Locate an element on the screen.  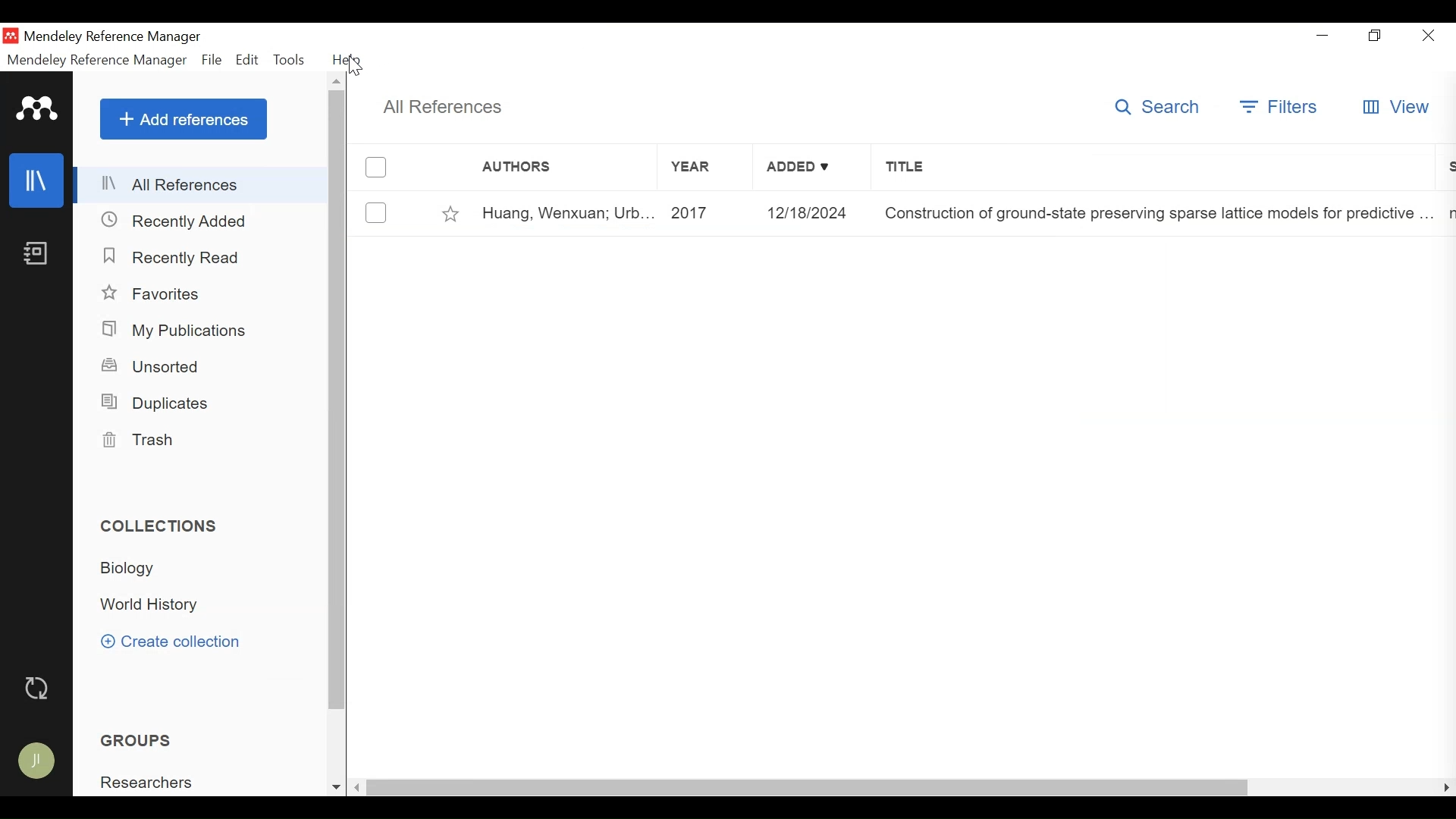
Scroll left is located at coordinates (361, 789).